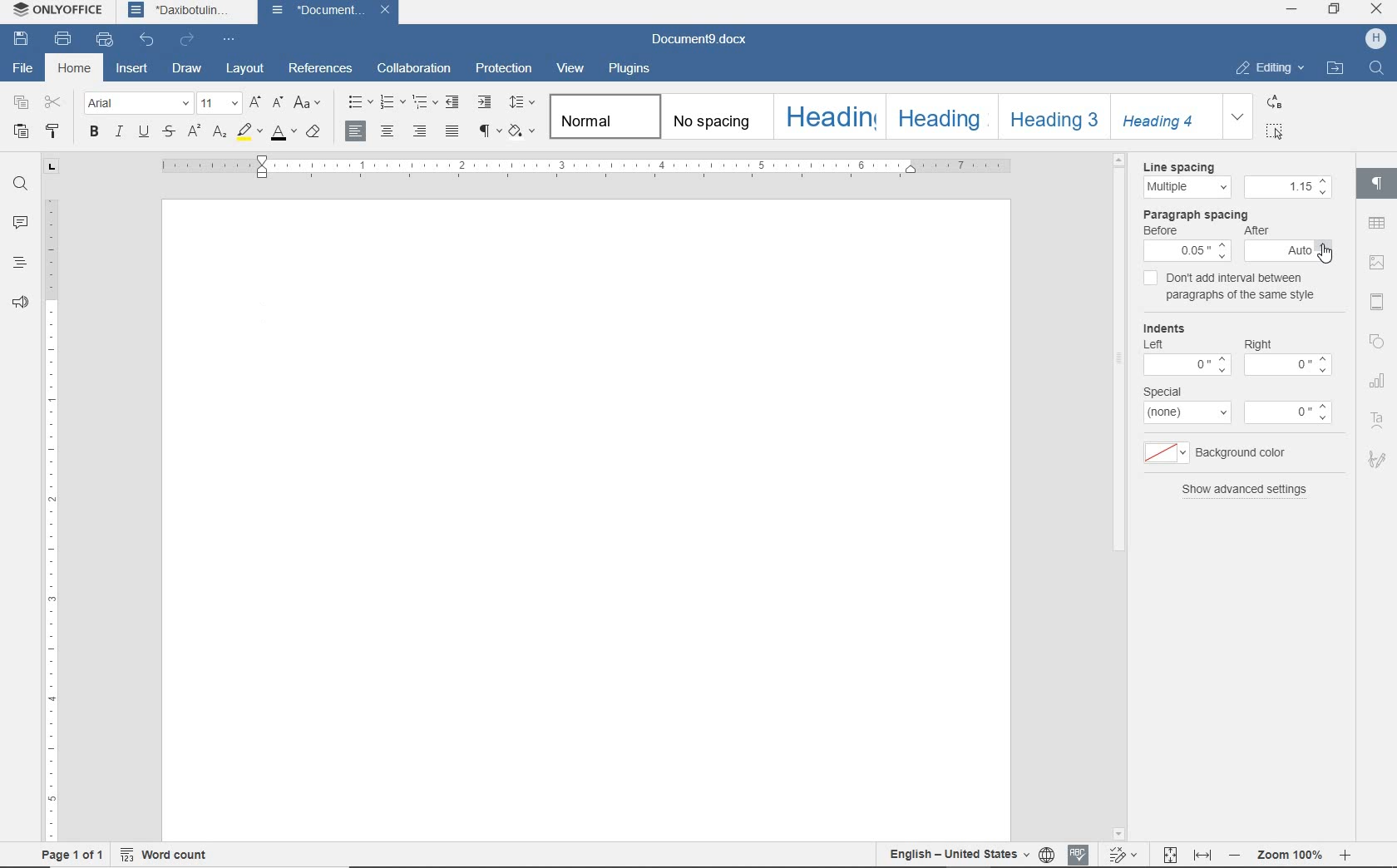 This screenshot has width=1397, height=868. What do you see at coordinates (21, 223) in the screenshot?
I see `comments` at bounding box center [21, 223].